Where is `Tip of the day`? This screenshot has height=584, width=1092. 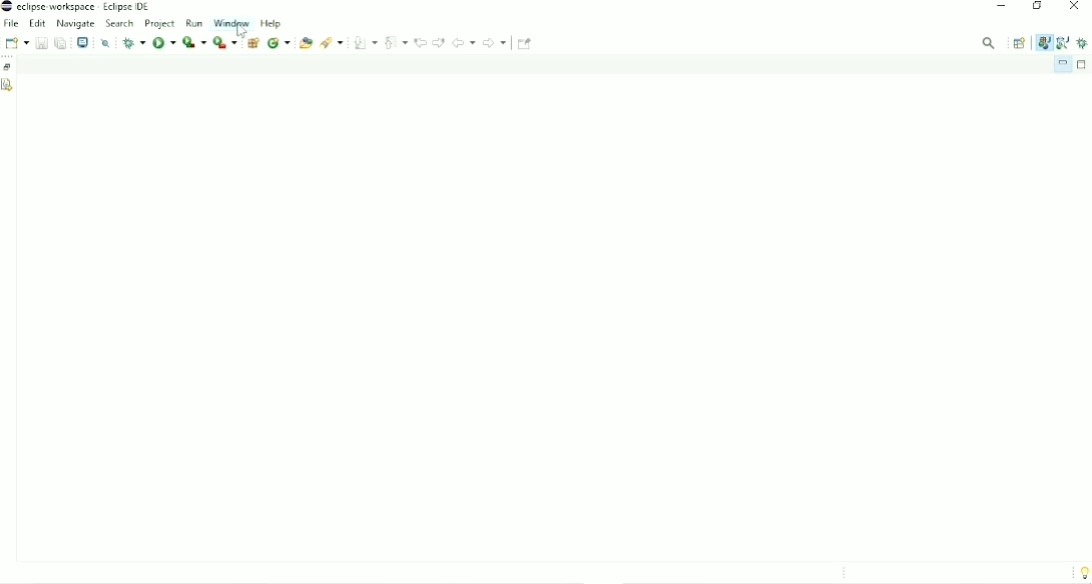 Tip of the day is located at coordinates (1081, 573).